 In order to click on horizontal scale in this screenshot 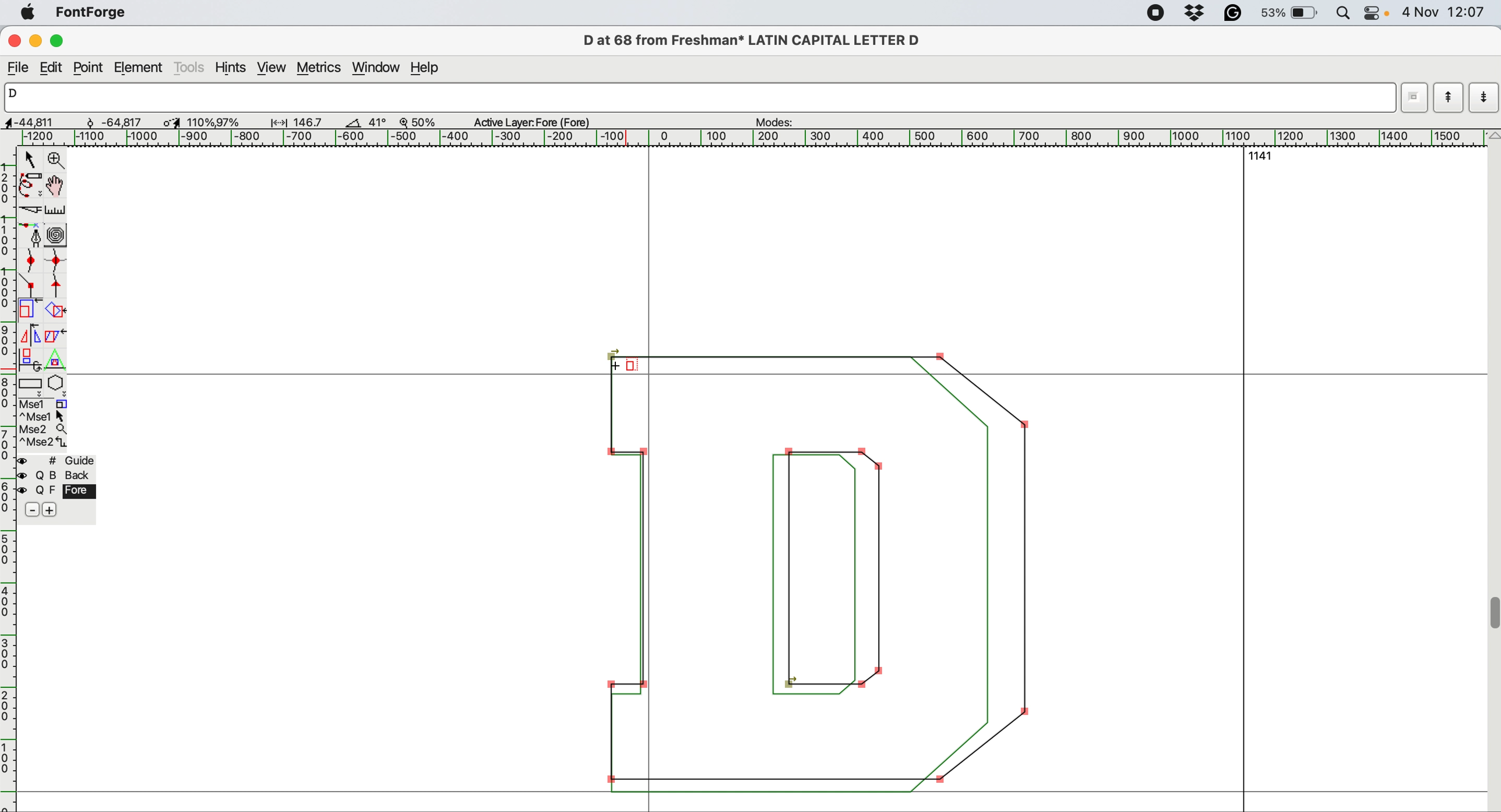, I will do `click(9, 480)`.